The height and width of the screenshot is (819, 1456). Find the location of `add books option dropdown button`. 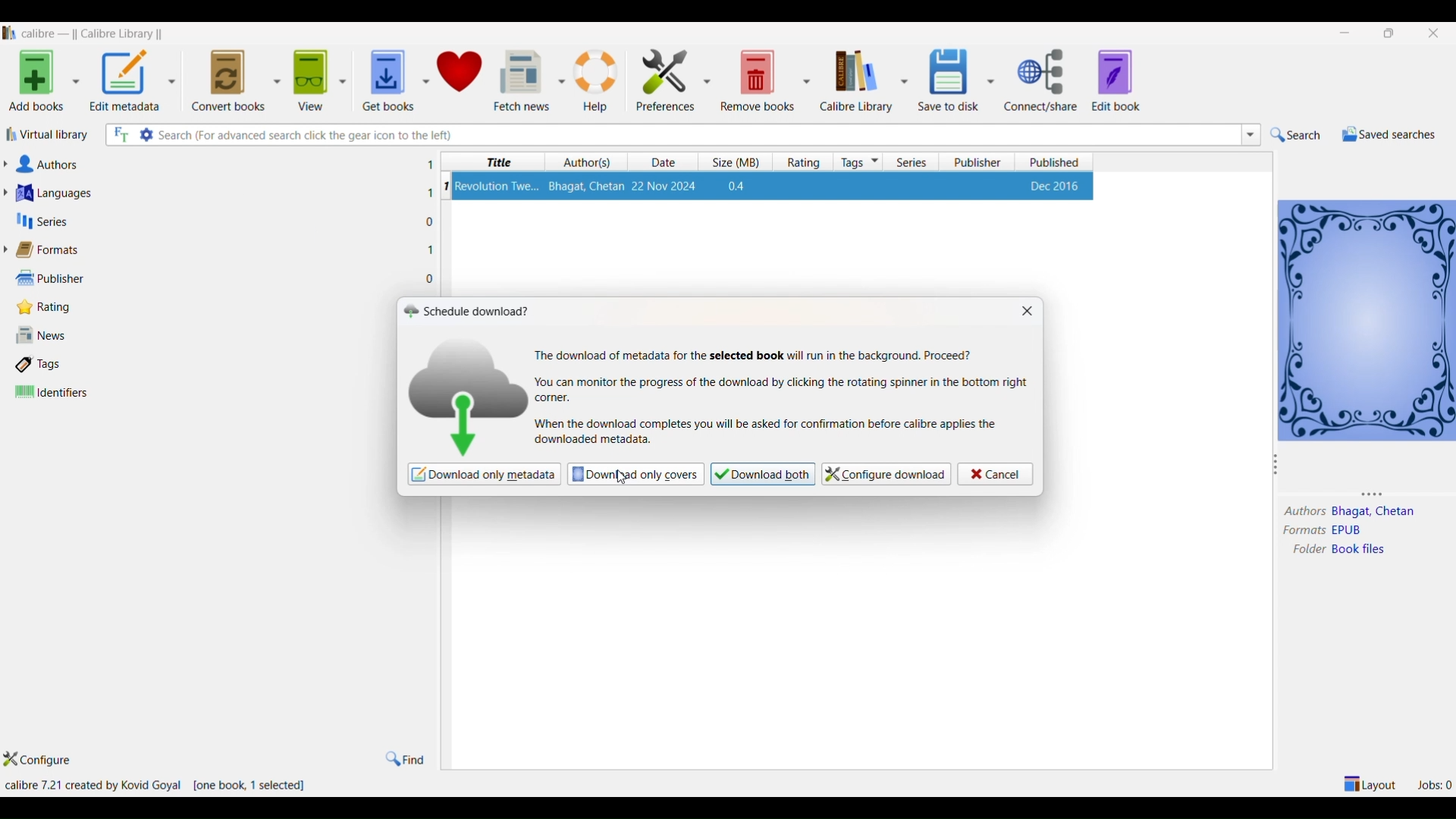

add books option dropdown button is located at coordinates (76, 83).